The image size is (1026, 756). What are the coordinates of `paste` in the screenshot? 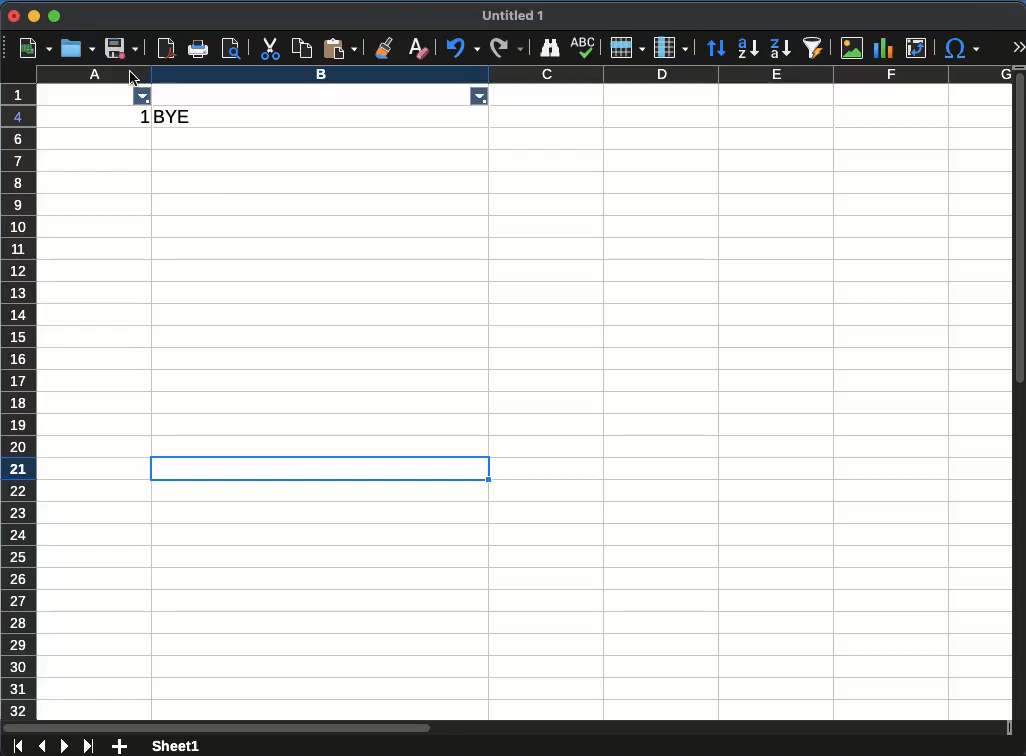 It's located at (303, 48).